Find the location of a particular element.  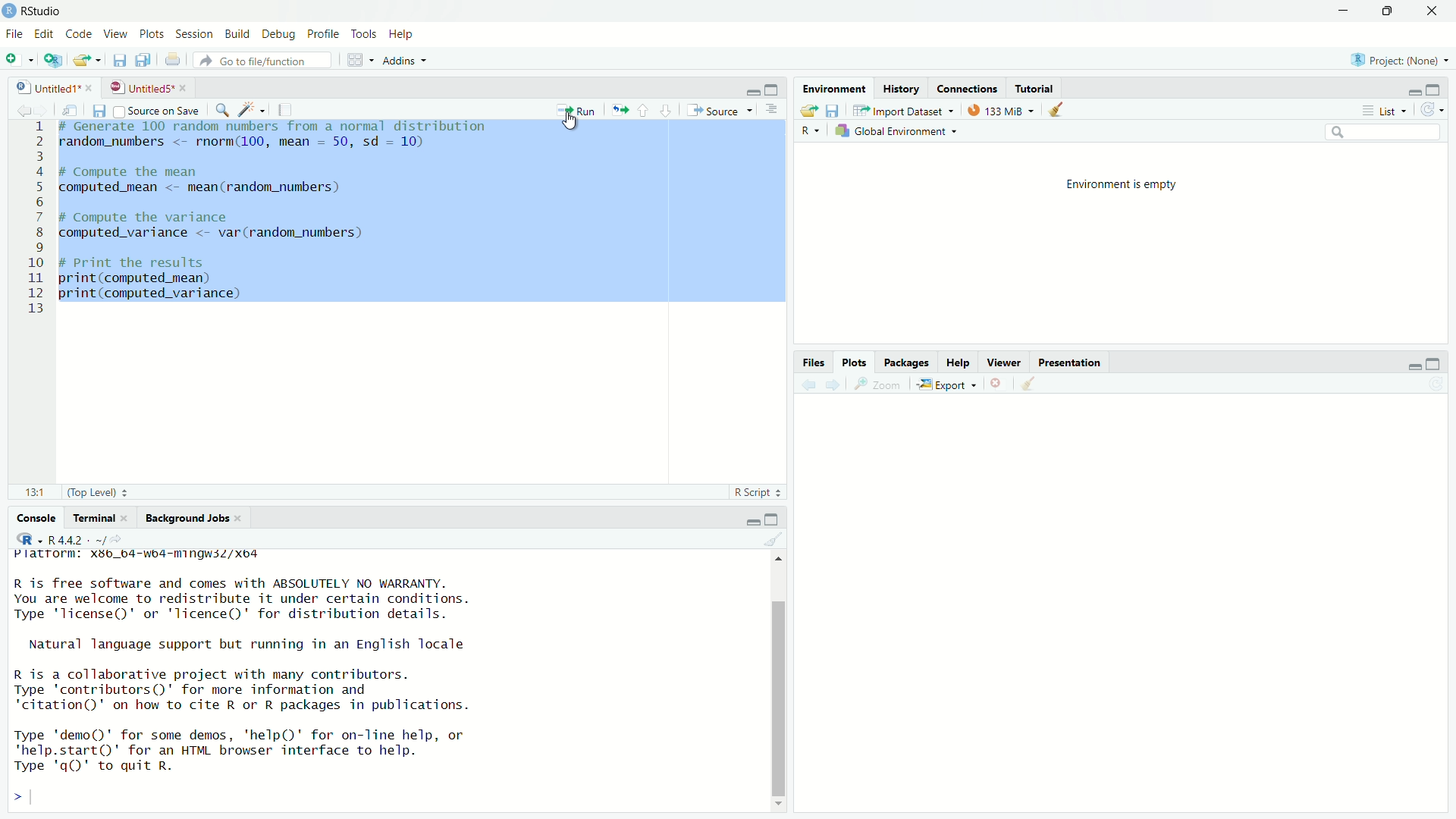

close is located at coordinates (1436, 11).